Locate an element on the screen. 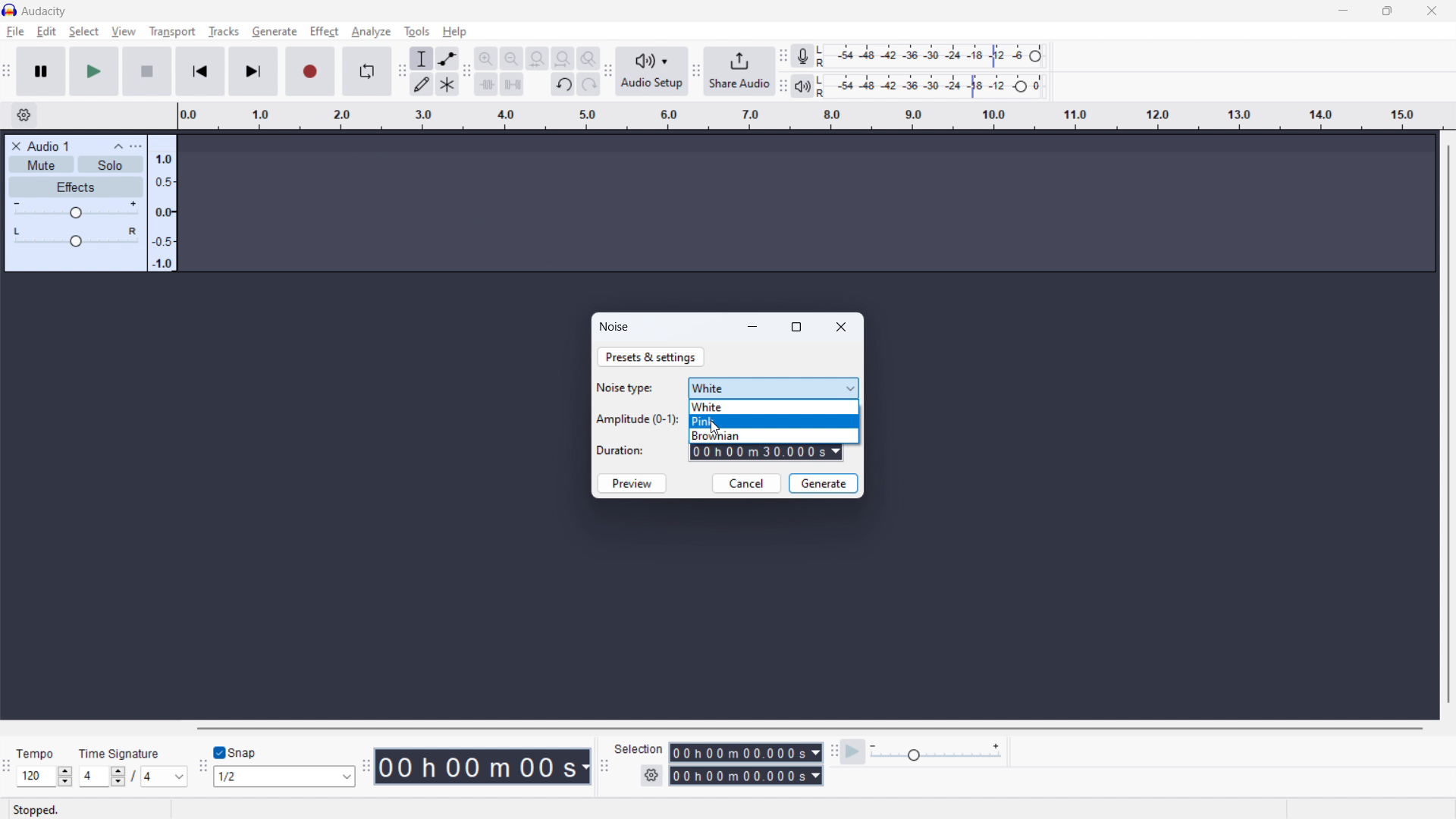 This screenshot has width=1456, height=819. collapse is located at coordinates (118, 147).